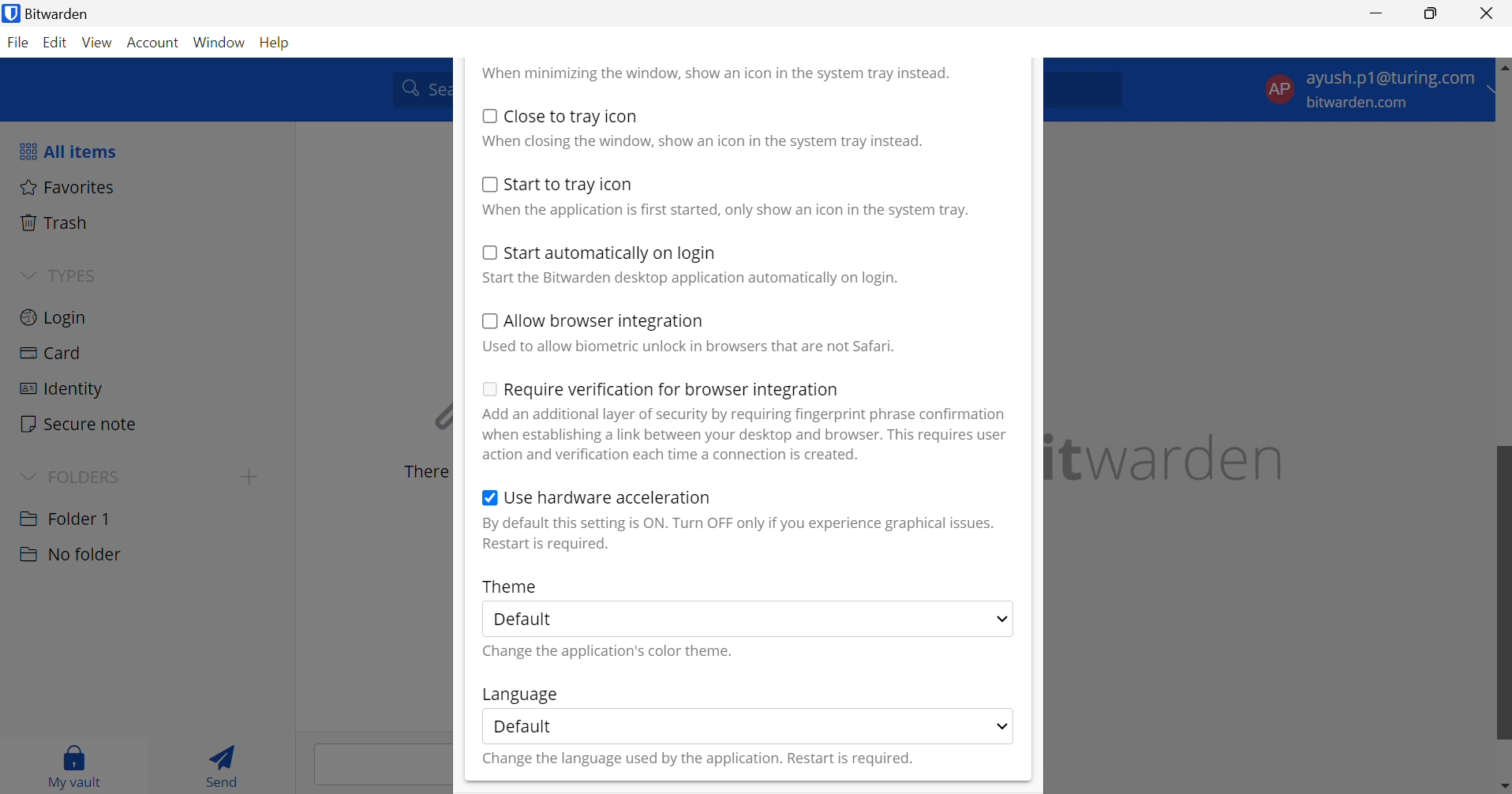  What do you see at coordinates (612, 254) in the screenshot?
I see `Start automatically on login` at bounding box center [612, 254].